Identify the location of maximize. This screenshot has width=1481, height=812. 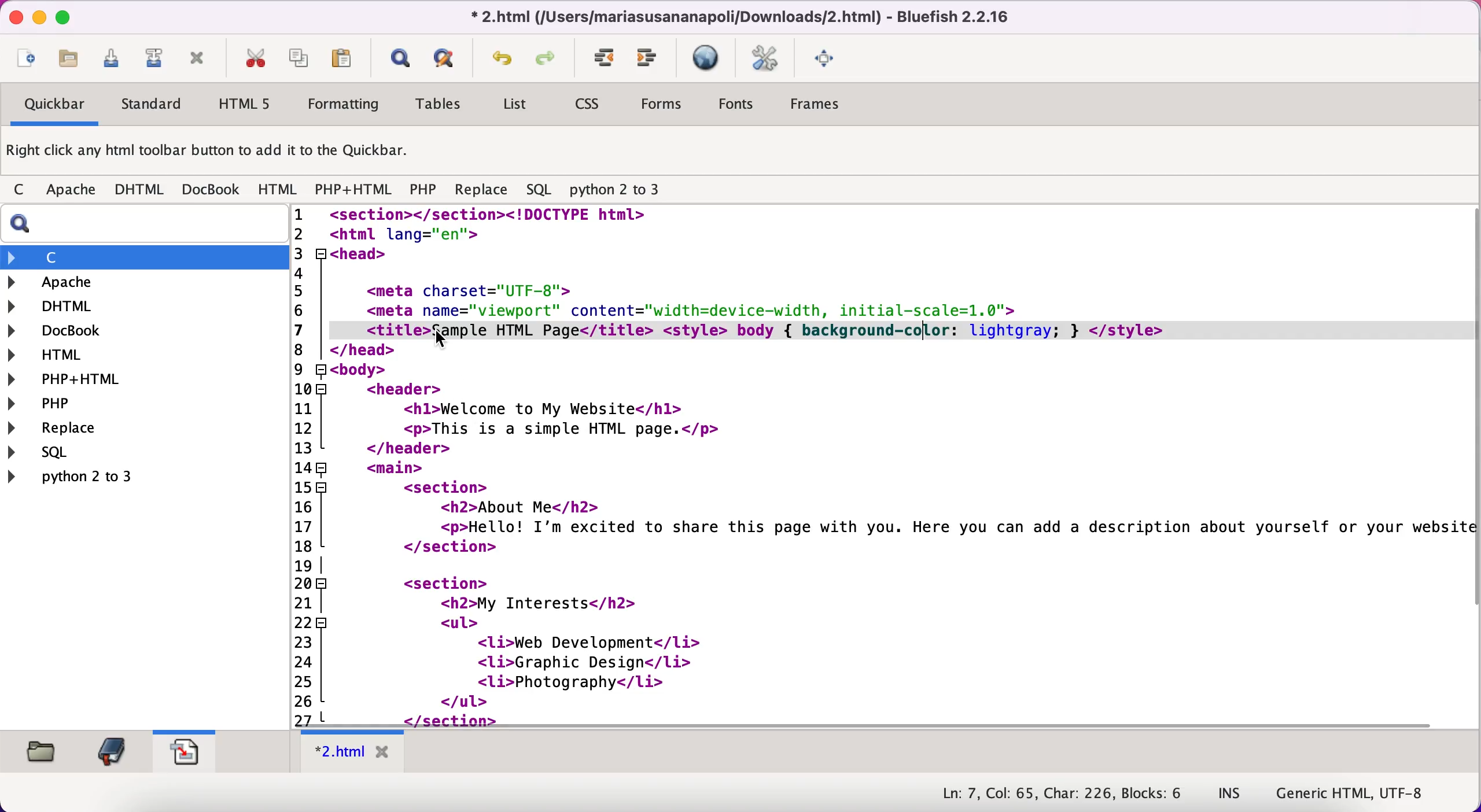
(63, 16).